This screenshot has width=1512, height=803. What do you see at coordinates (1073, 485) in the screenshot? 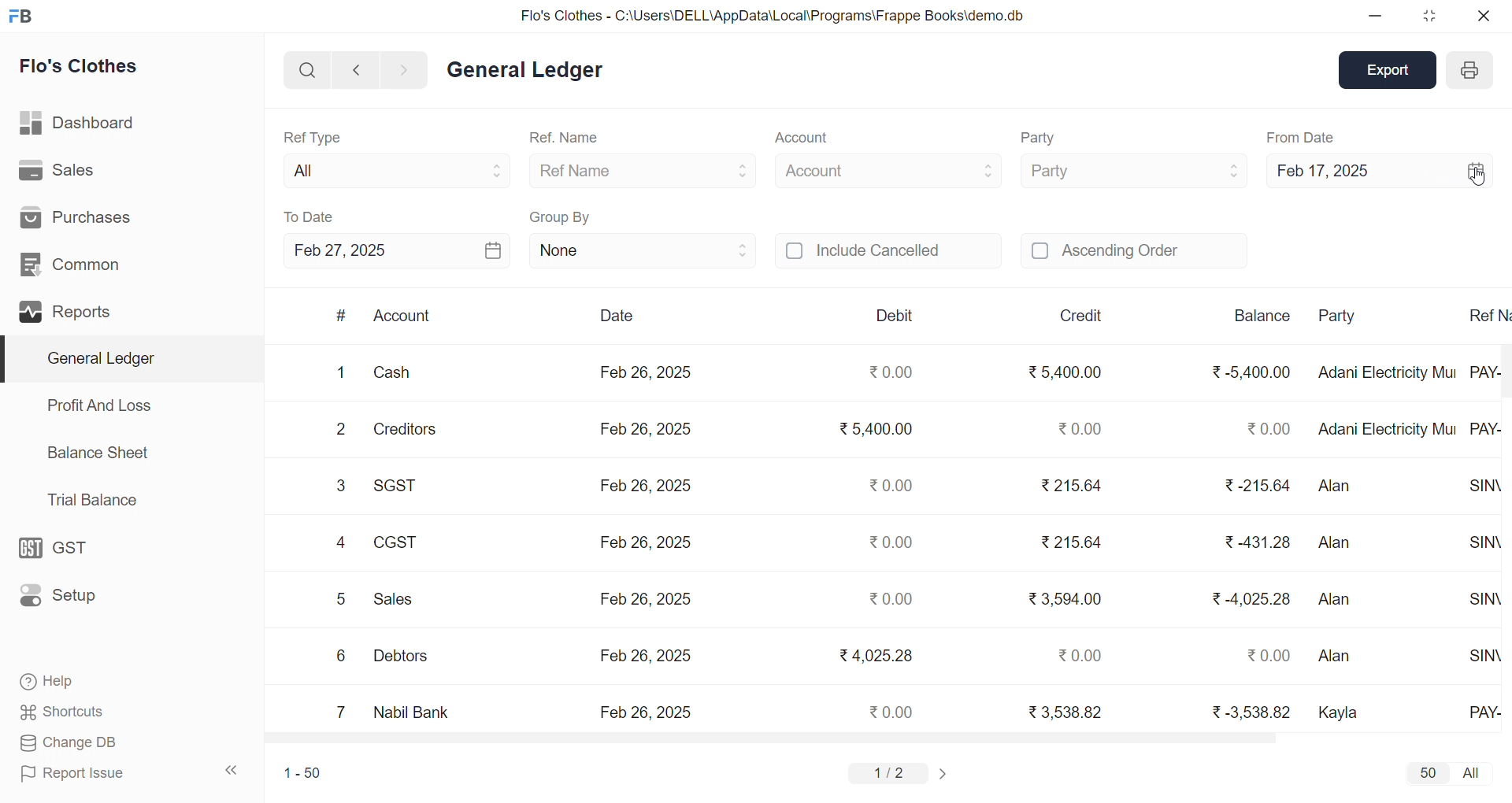
I see `₹215.64` at bounding box center [1073, 485].